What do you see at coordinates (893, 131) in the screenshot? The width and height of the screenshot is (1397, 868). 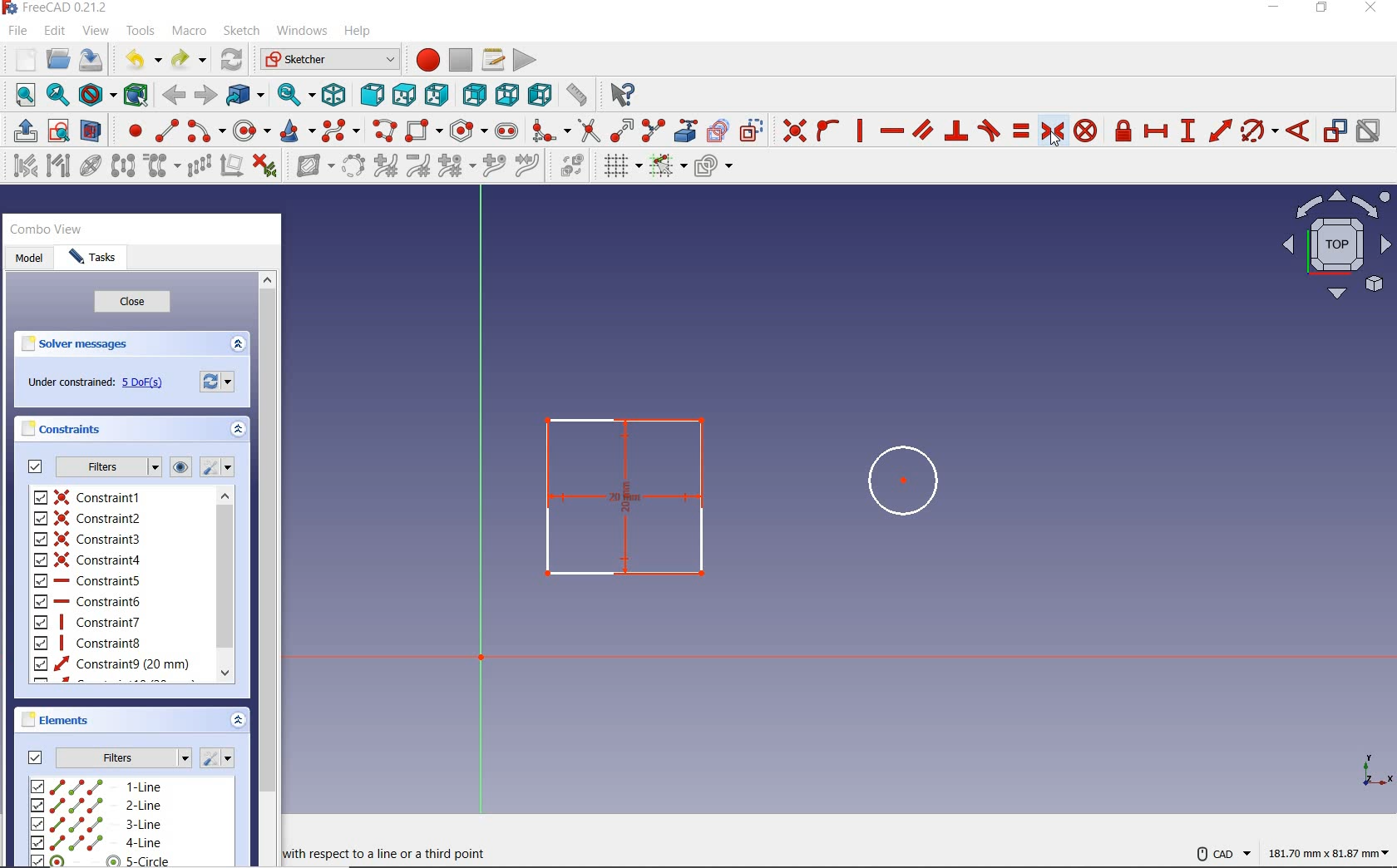 I see `constrain horizontally` at bounding box center [893, 131].